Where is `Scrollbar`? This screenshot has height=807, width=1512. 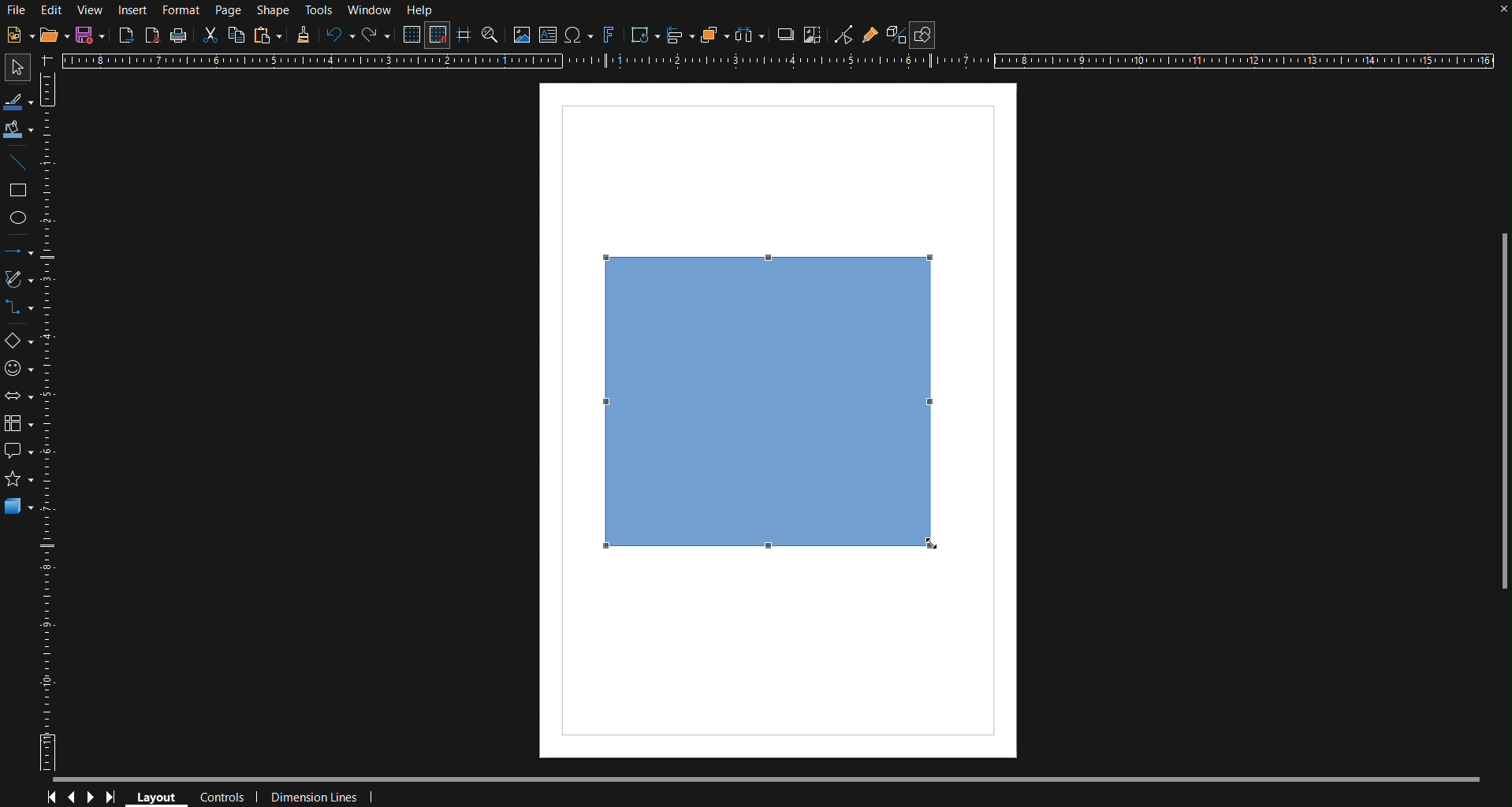
Scrollbar is located at coordinates (1503, 419).